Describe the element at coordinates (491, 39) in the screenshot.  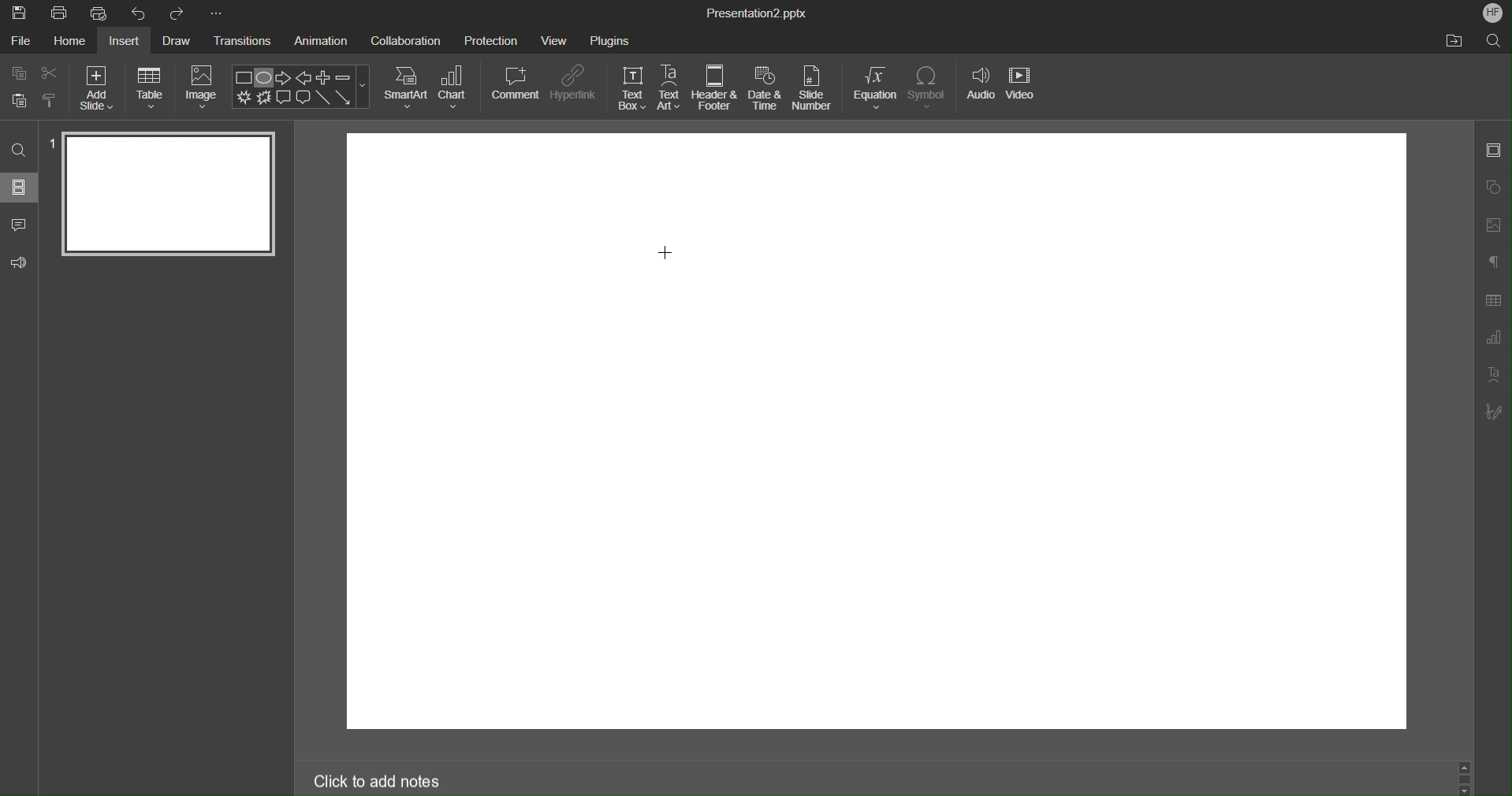
I see `Protection` at that location.